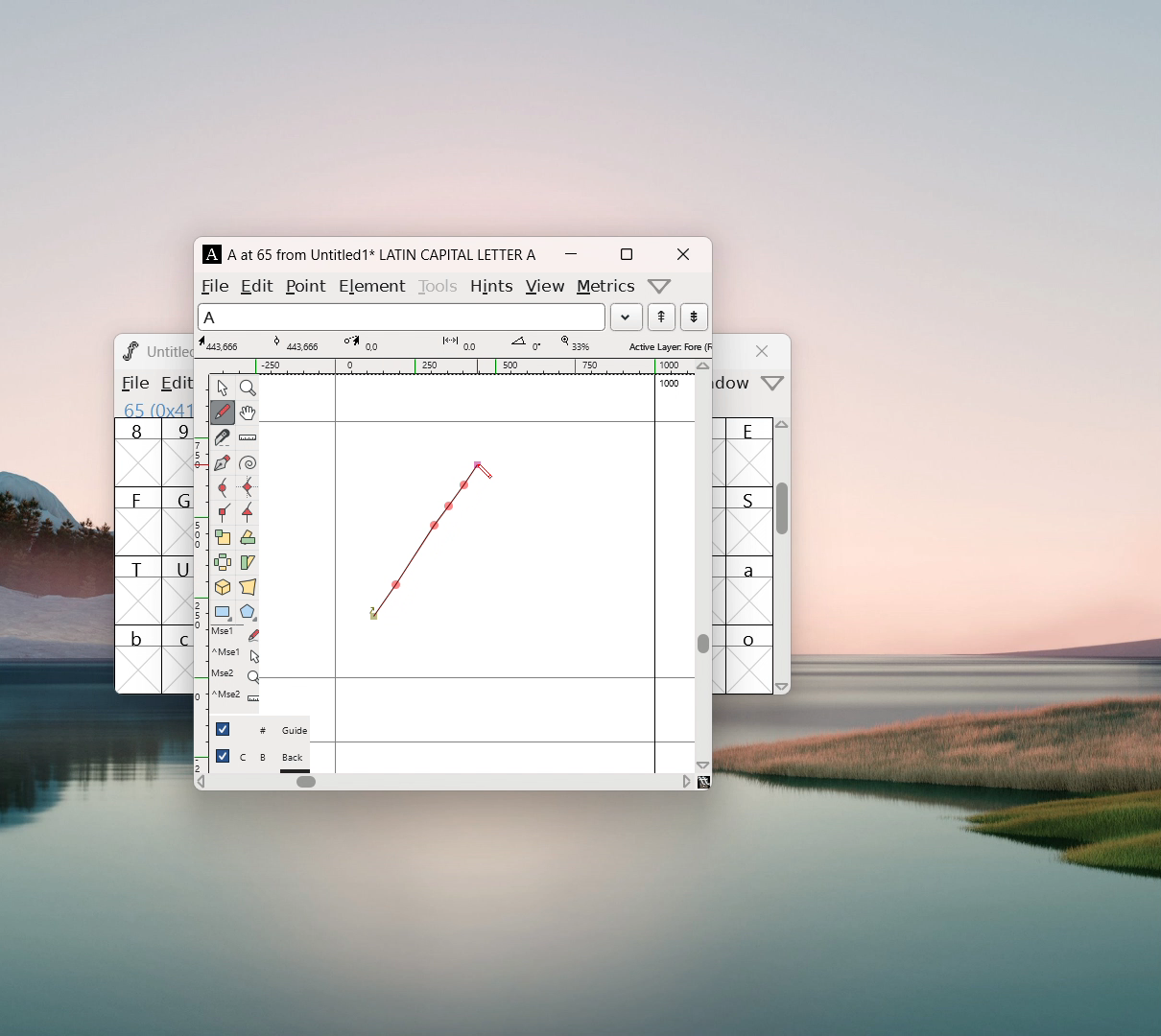 The height and width of the screenshot is (1036, 1161). What do you see at coordinates (235, 695) in the screenshot?
I see `^Mse2` at bounding box center [235, 695].